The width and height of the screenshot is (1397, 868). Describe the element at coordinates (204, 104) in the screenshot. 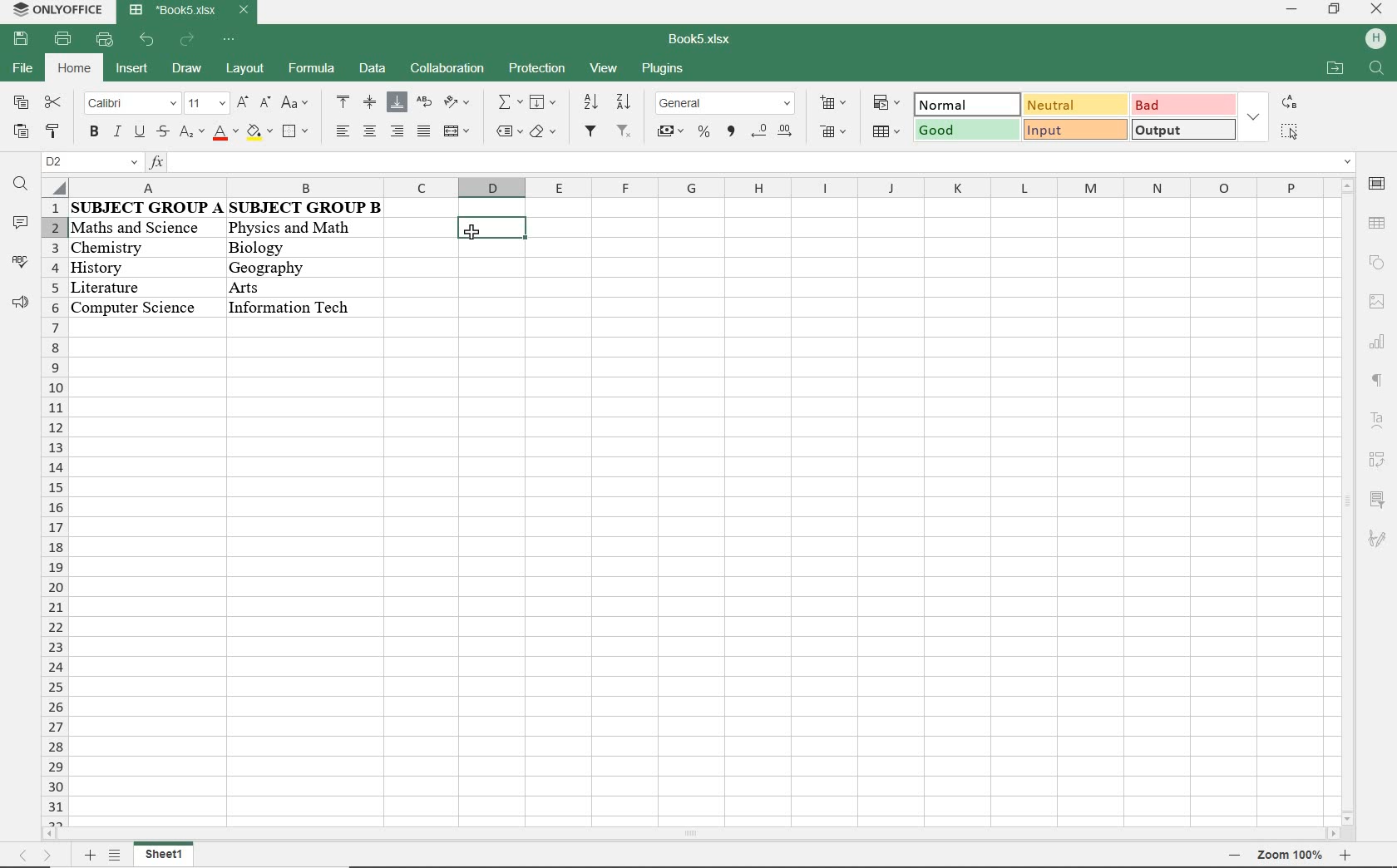

I see `font size` at that location.